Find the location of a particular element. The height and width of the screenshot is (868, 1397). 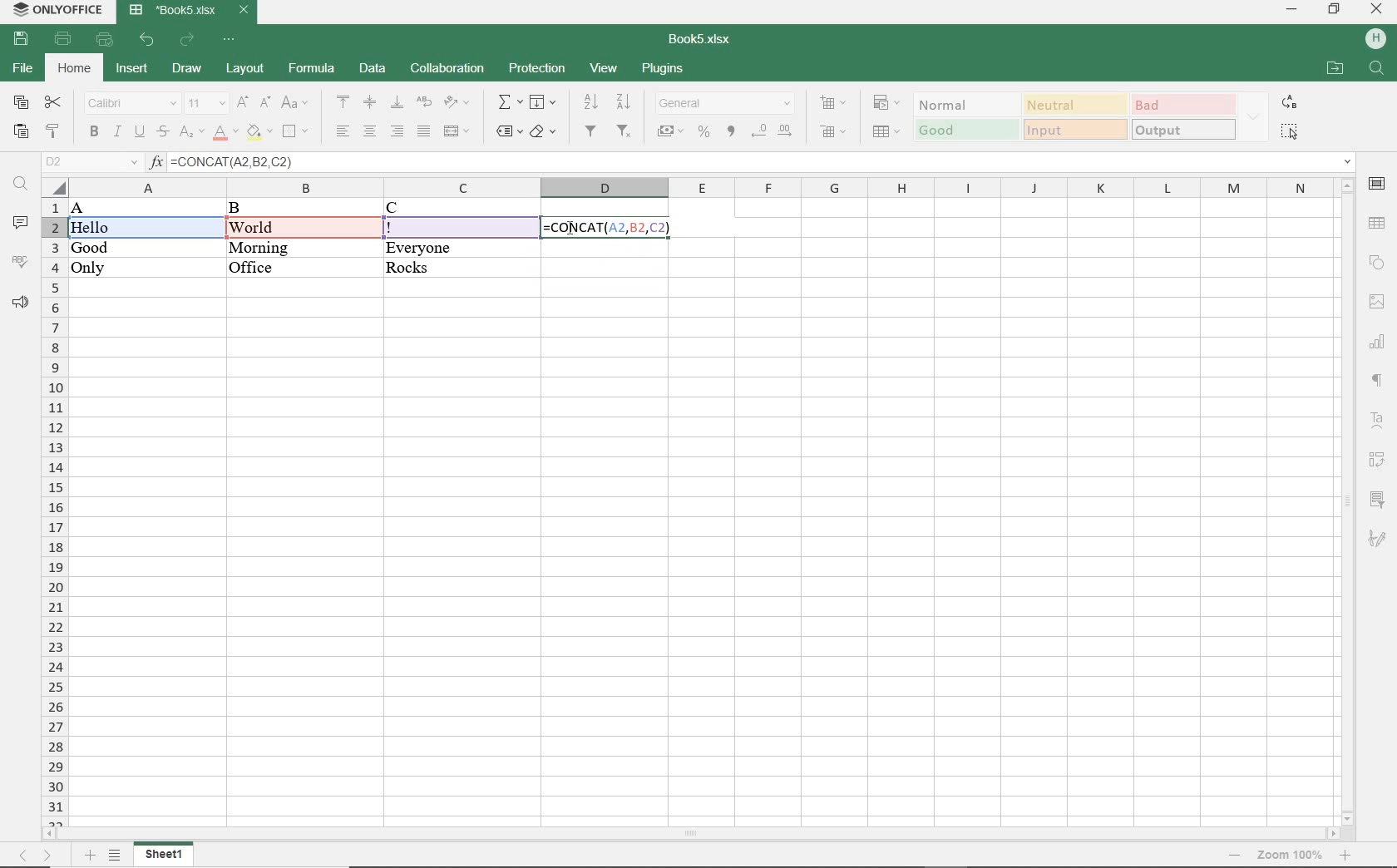

INPUT is located at coordinates (1073, 130).